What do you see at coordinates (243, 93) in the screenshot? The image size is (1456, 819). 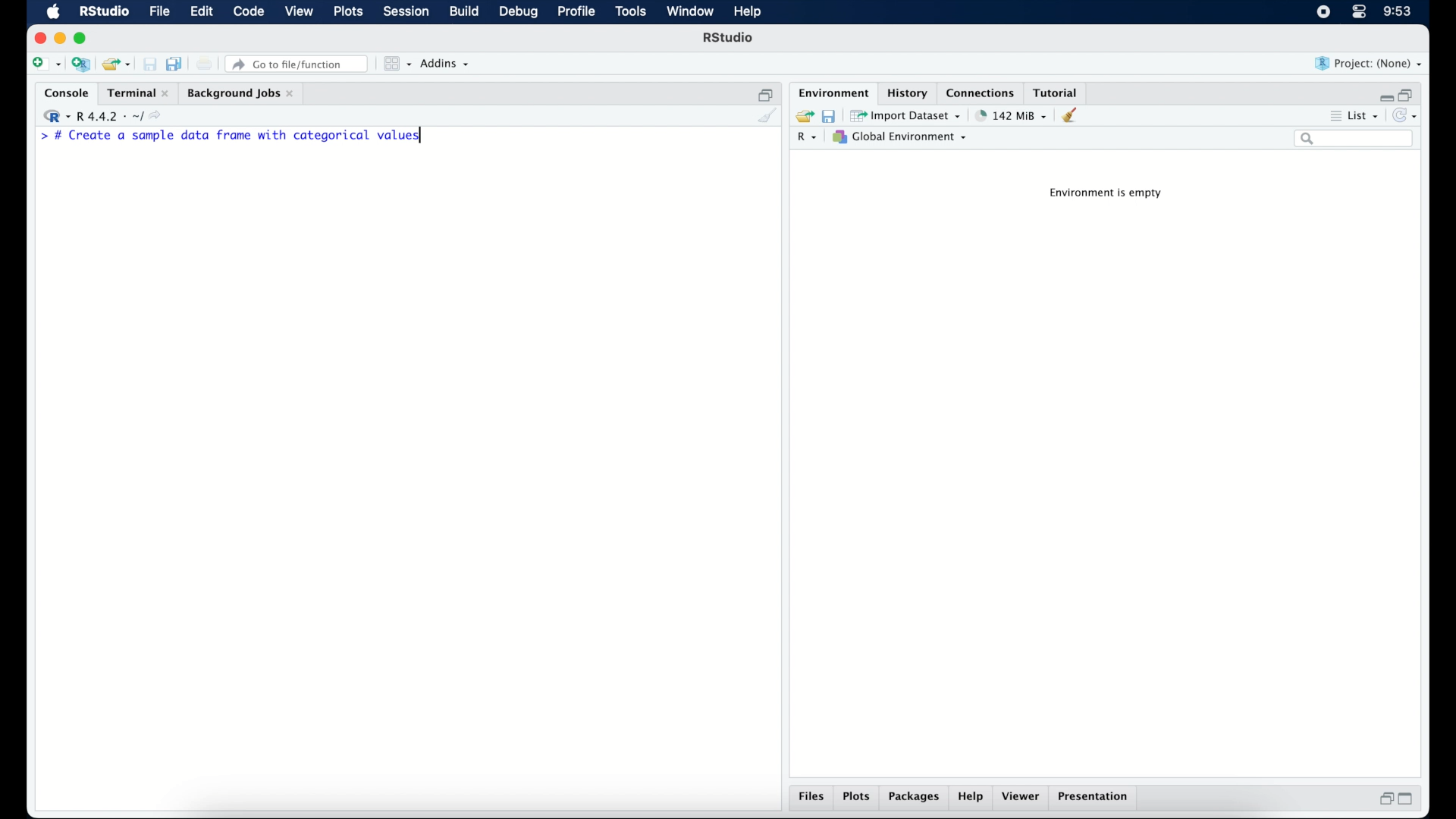 I see `background jobs` at bounding box center [243, 93].